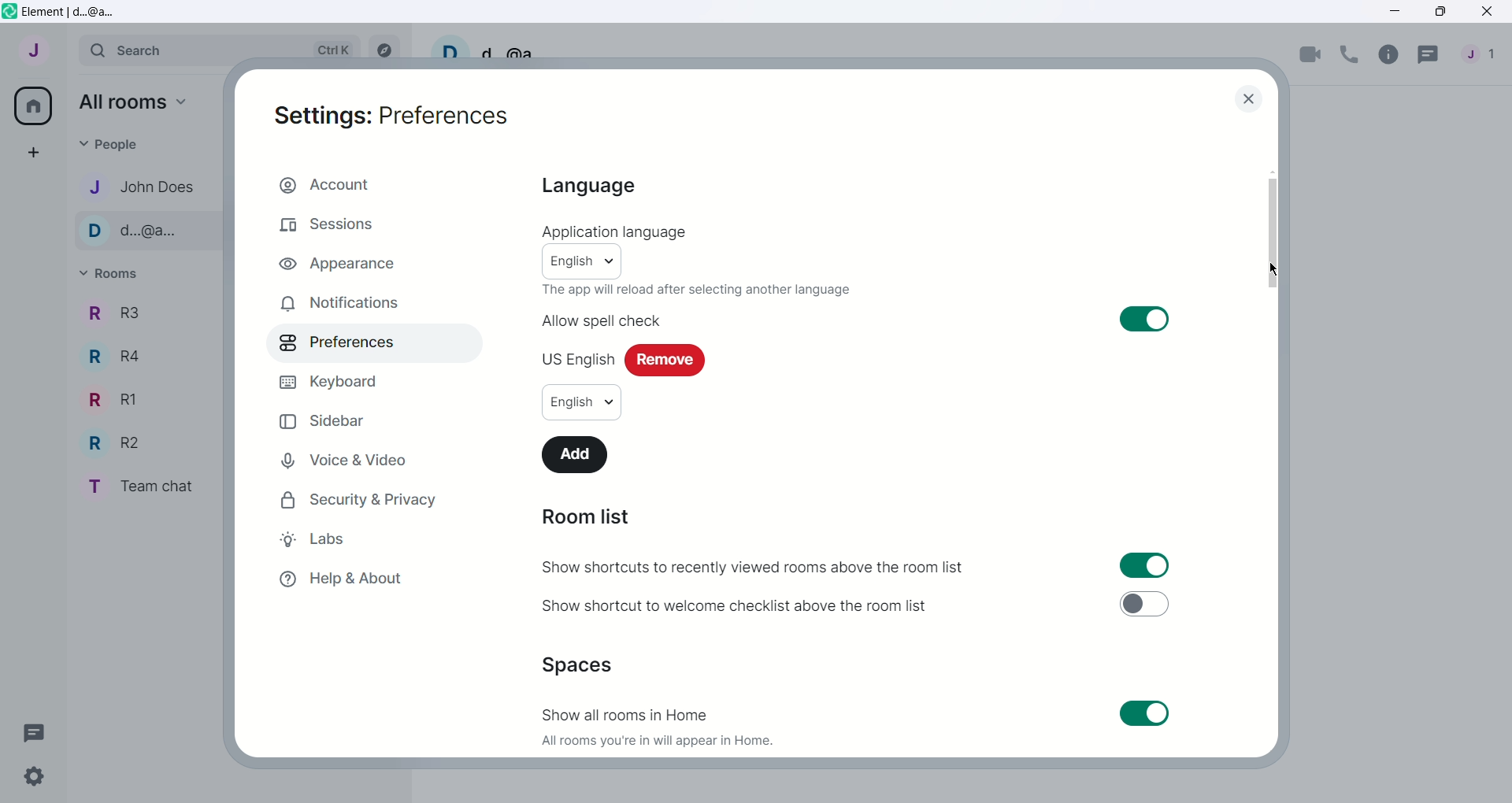 This screenshot has width=1512, height=803. I want to click on Notifications, so click(361, 303).